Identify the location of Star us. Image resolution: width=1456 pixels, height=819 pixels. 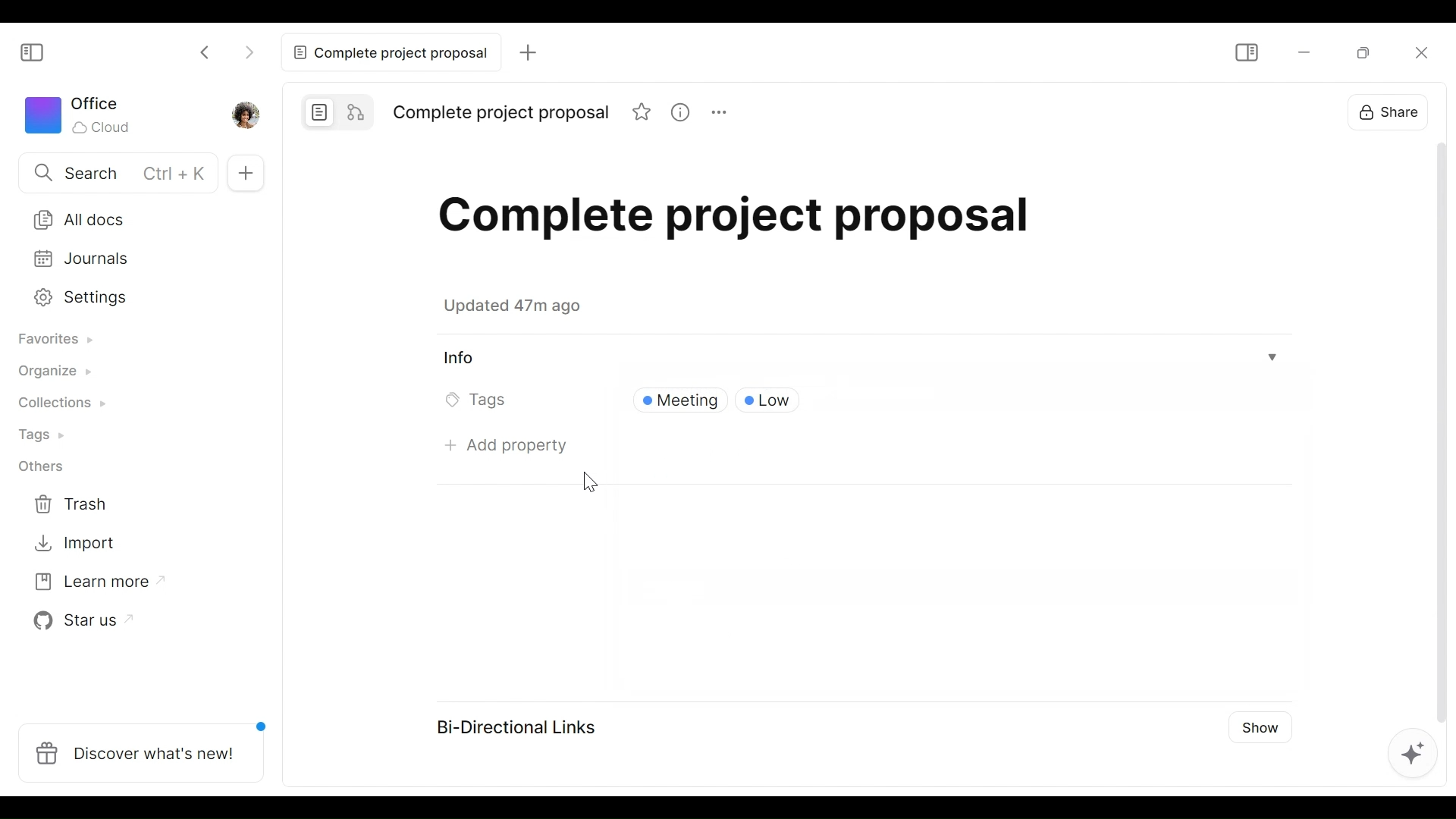
(80, 623).